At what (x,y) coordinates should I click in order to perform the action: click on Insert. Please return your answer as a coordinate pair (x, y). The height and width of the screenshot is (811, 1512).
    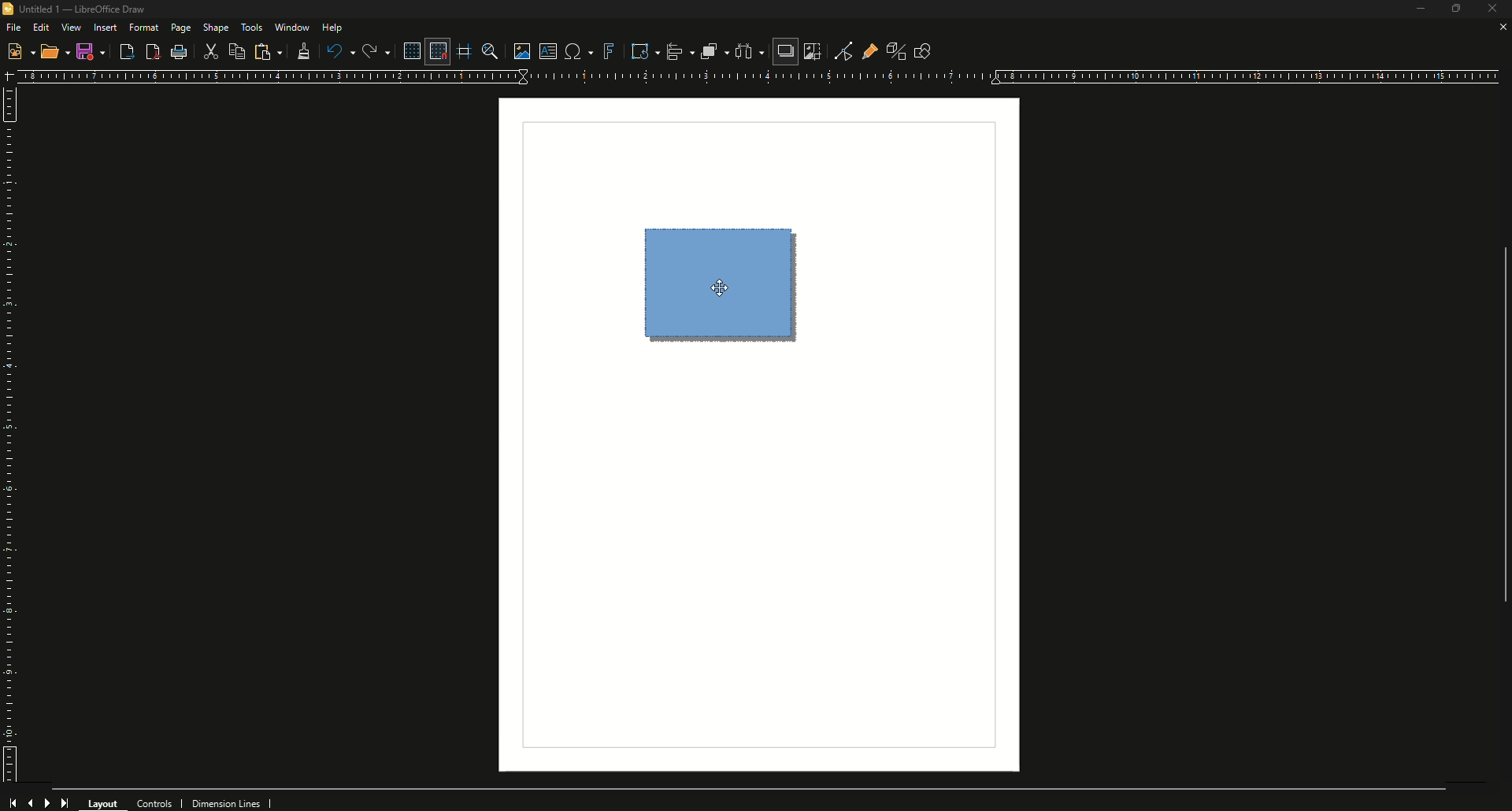
    Looking at the image, I should click on (105, 28).